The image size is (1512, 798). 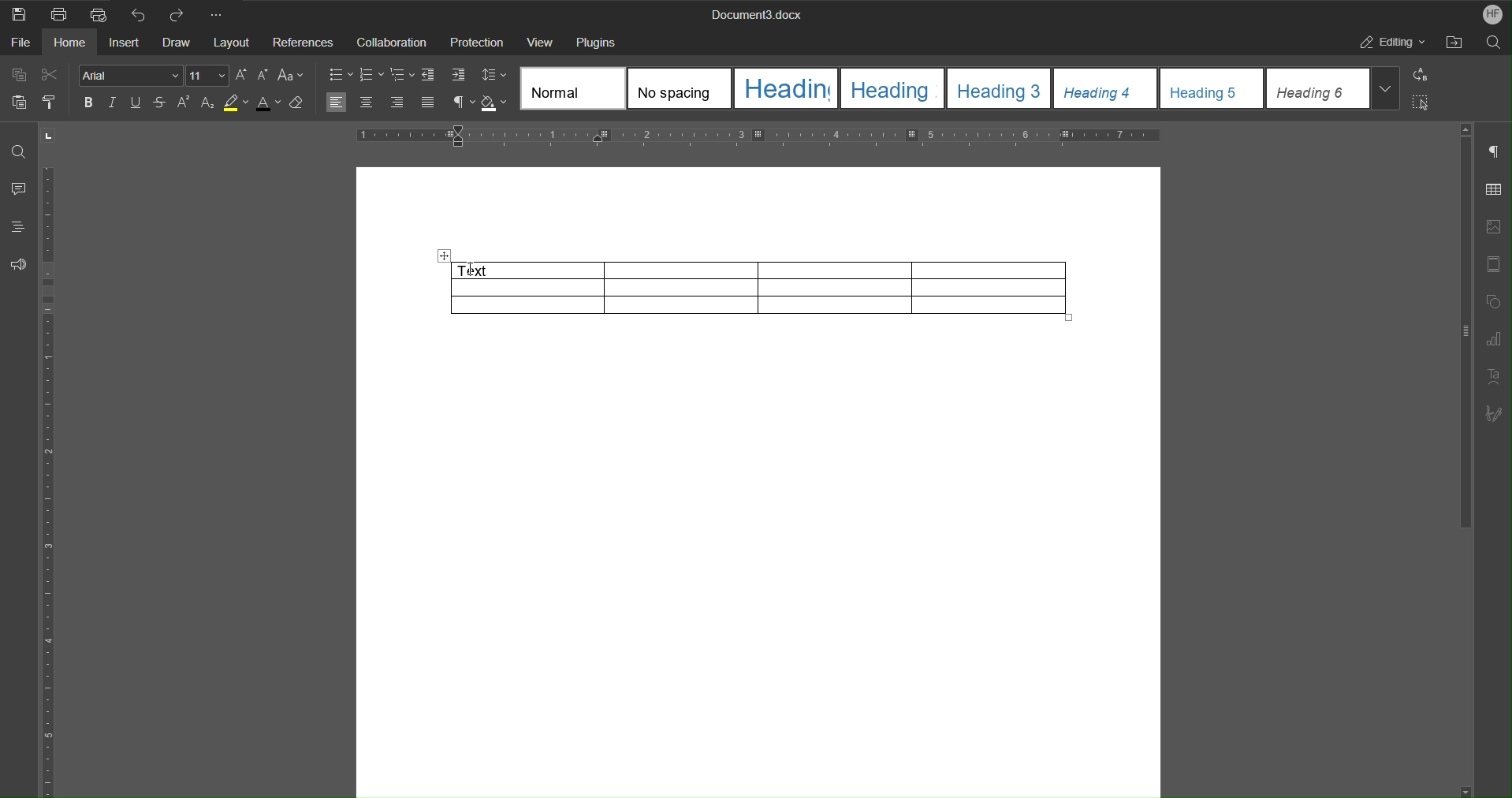 What do you see at coordinates (540, 41) in the screenshot?
I see `View` at bounding box center [540, 41].